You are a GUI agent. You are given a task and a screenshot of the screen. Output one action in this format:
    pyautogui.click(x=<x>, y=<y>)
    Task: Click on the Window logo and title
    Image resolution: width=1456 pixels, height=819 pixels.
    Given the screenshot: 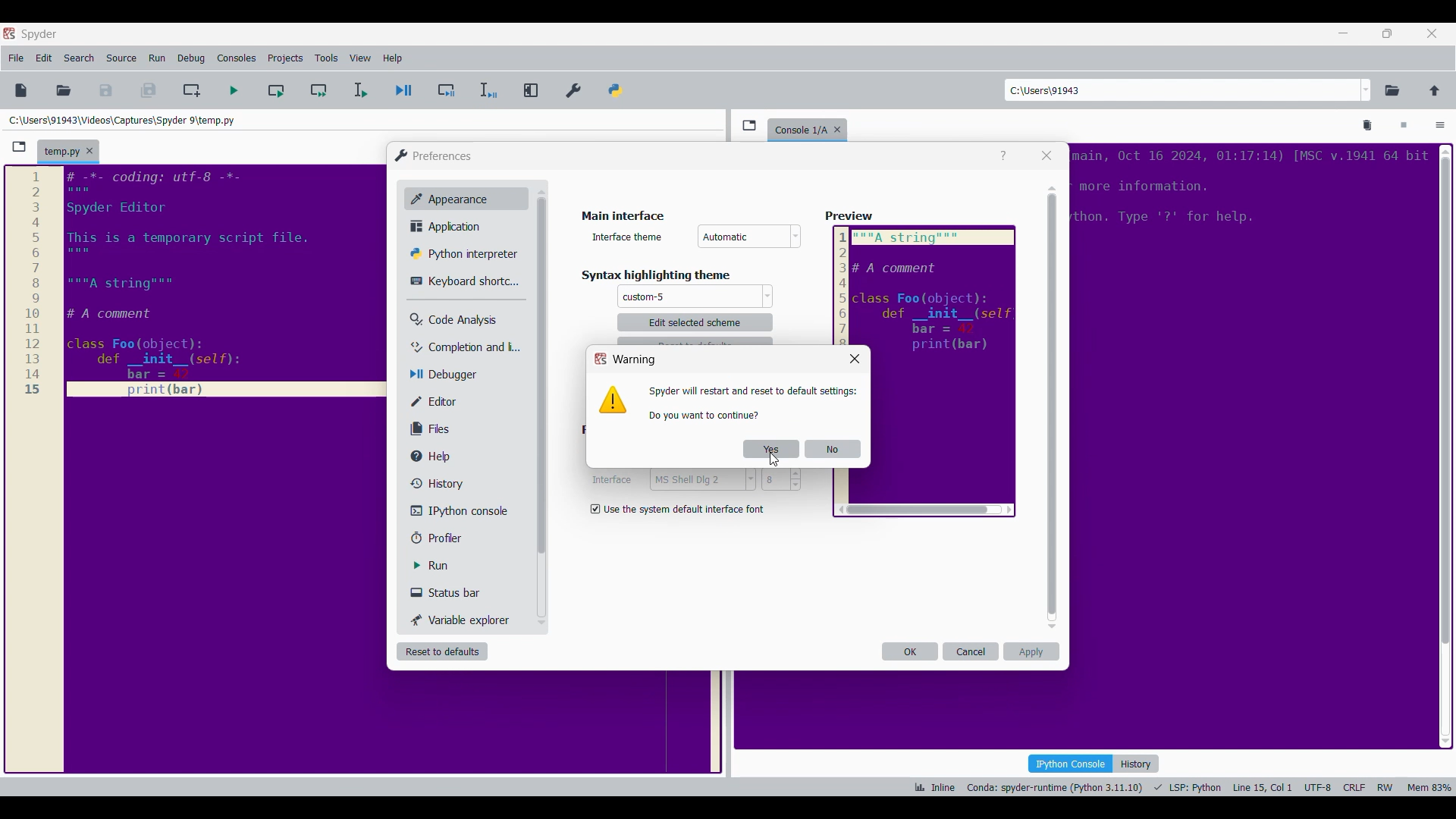 What is the action you would take?
    pyautogui.click(x=434, y=155)
    